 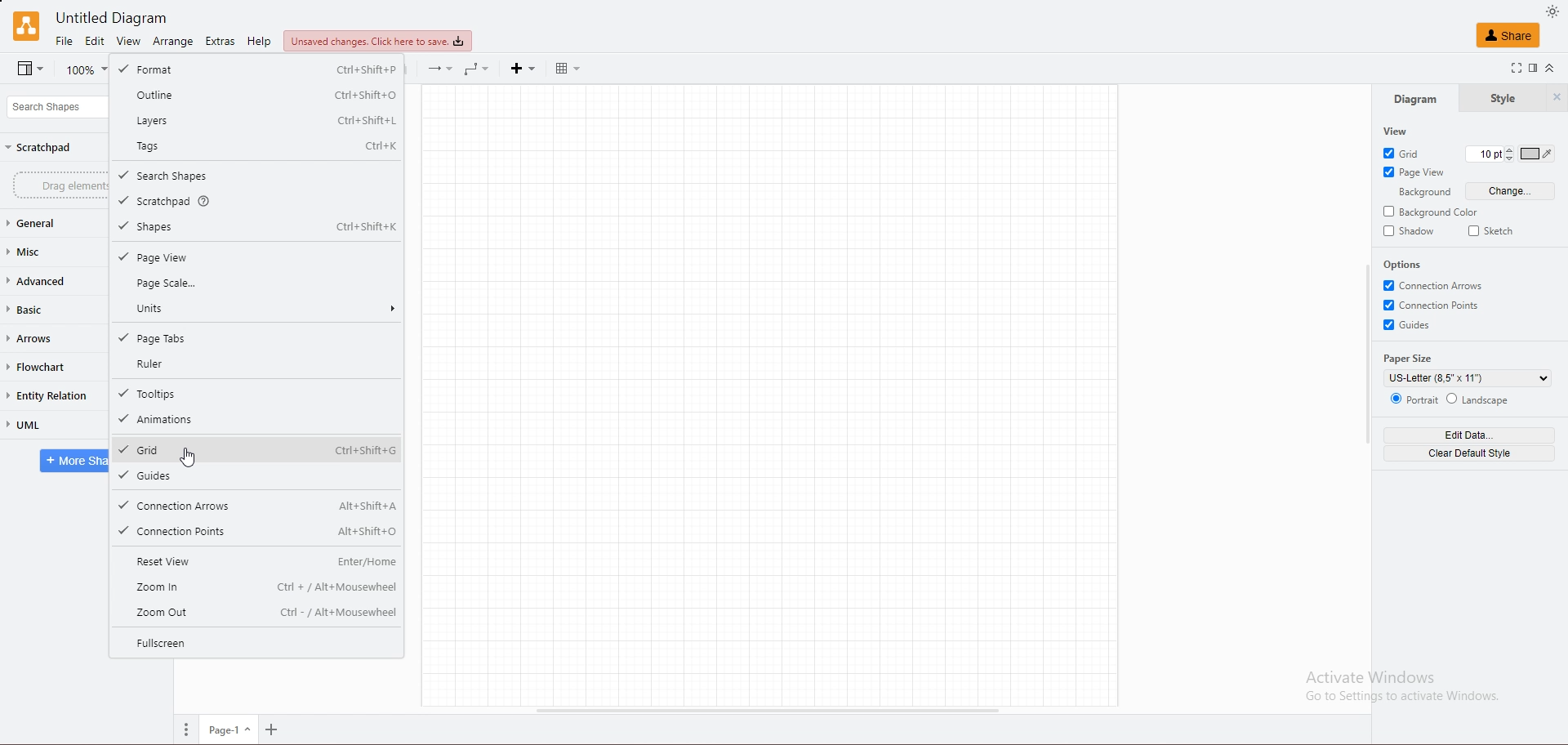 What do you see at coordinates (257, 176) in the screenshot?
I see `search shapes` at bounding box center [257, 176].